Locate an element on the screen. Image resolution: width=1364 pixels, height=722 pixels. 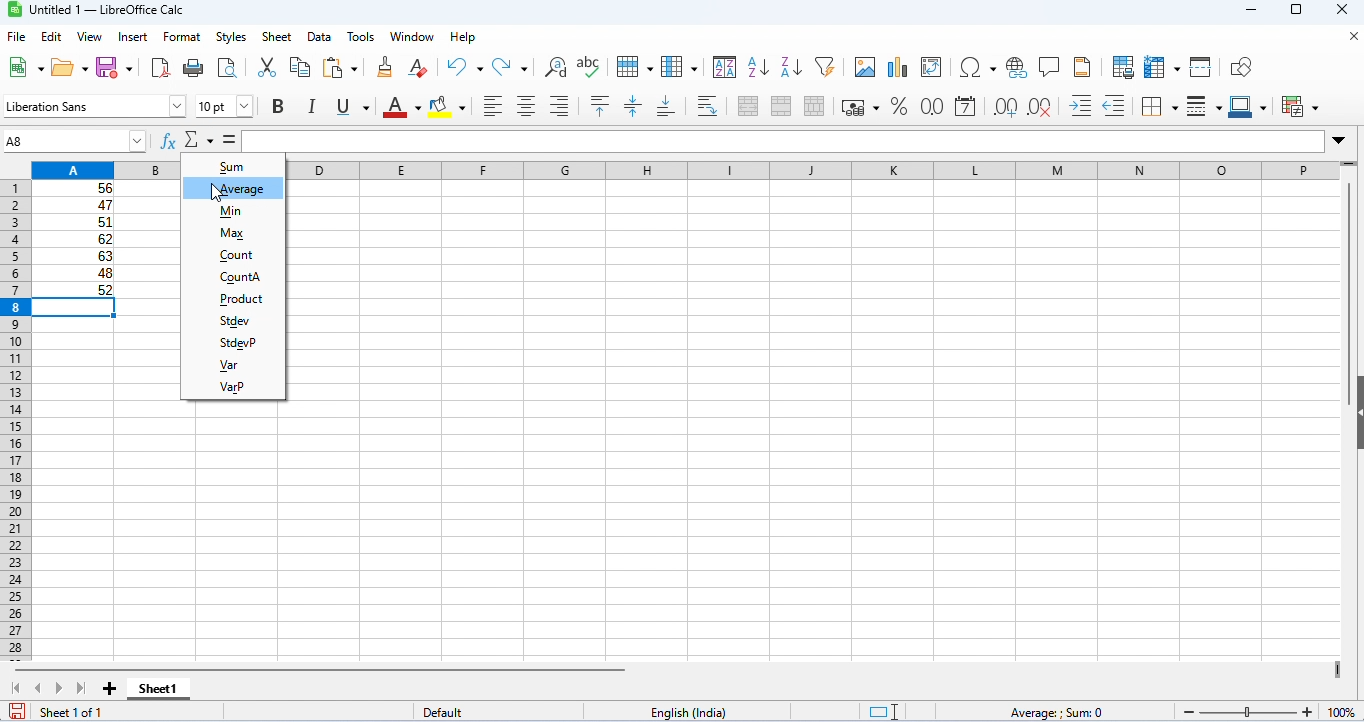
clear direct formatting is located at coordinates (419, 68).